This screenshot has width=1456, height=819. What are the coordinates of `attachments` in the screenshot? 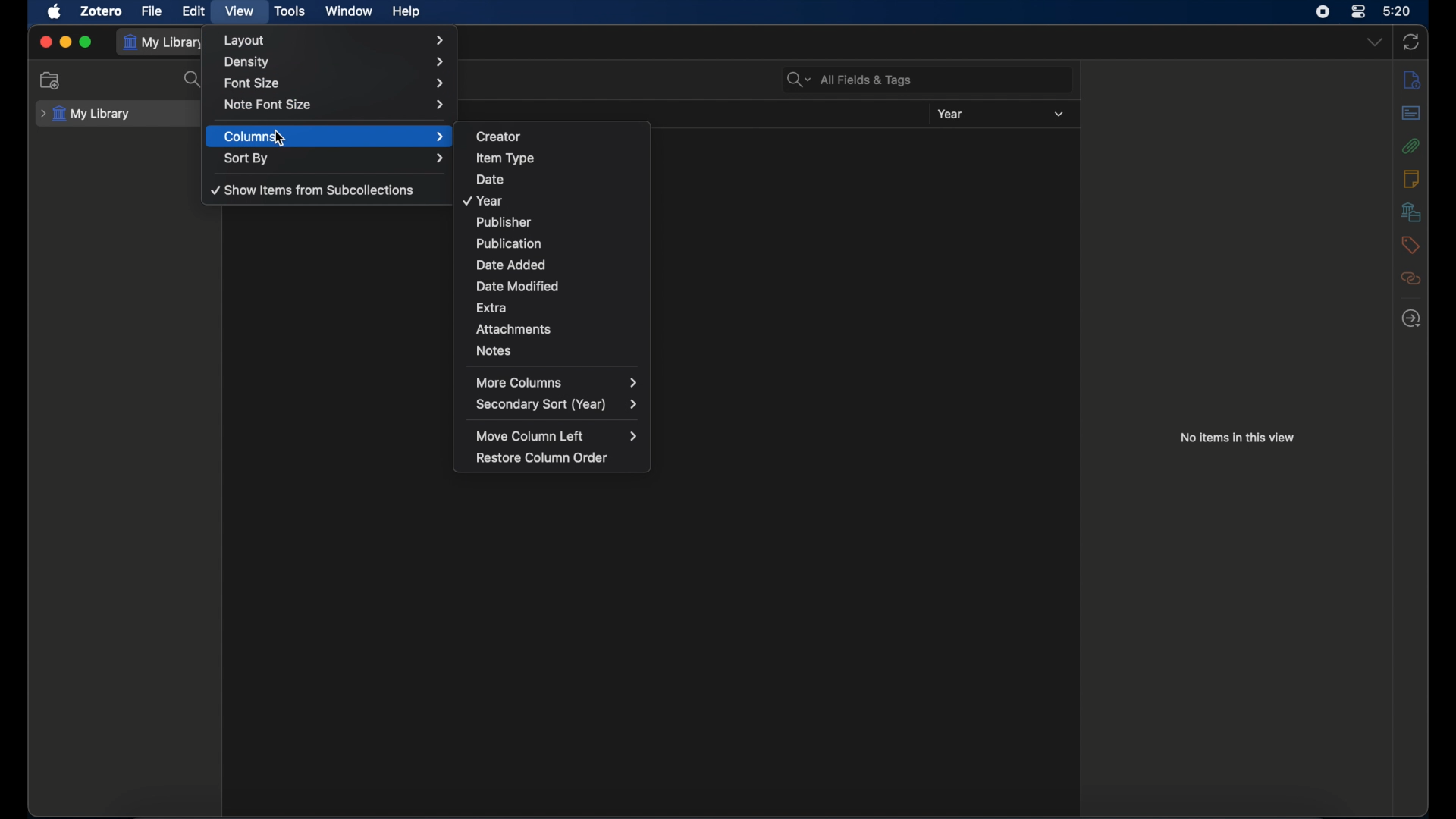 It's located at (563, 327).